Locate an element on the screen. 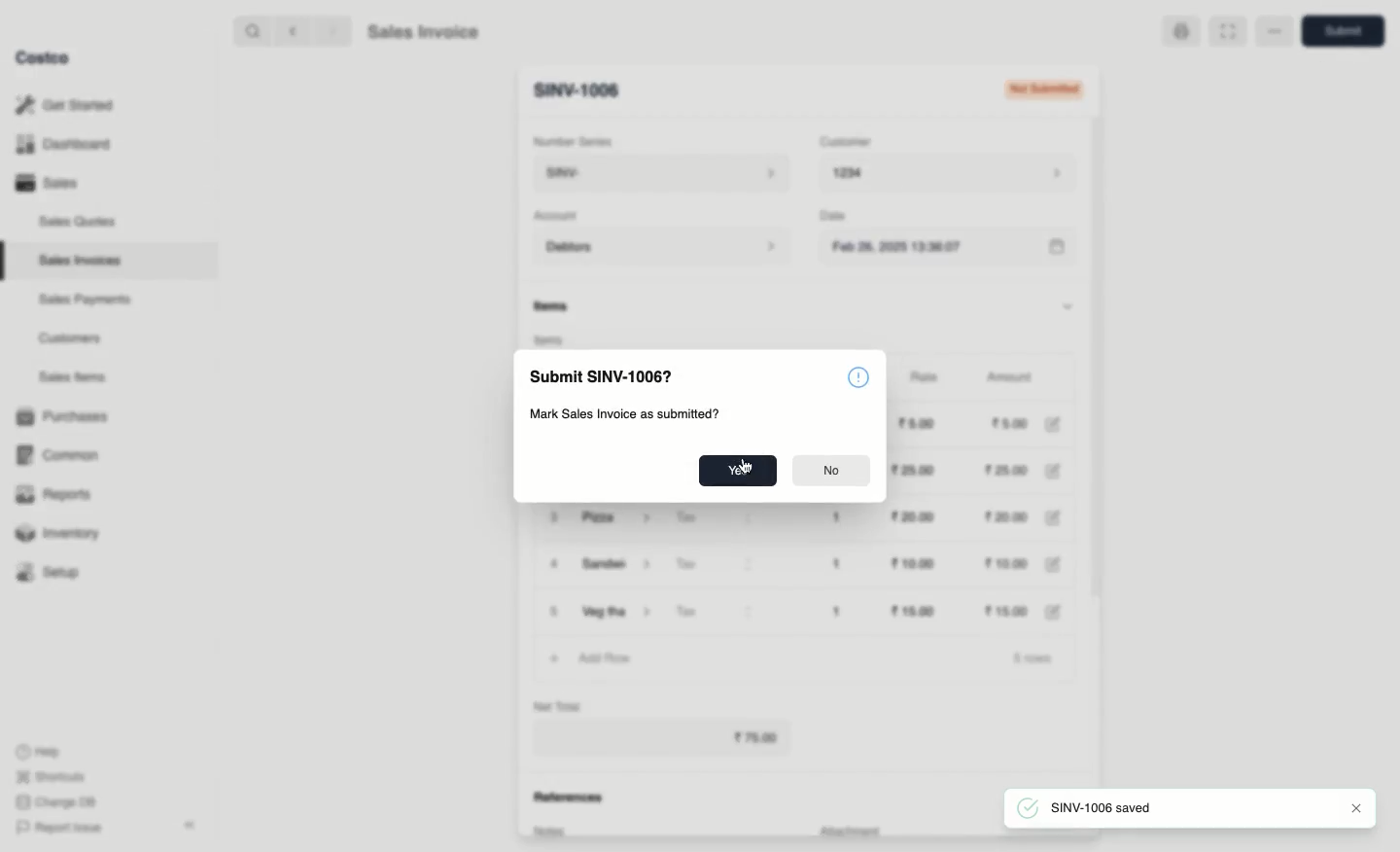 The image size is (1400, 852). Sales Quotes is located at coordinates (80, 221).